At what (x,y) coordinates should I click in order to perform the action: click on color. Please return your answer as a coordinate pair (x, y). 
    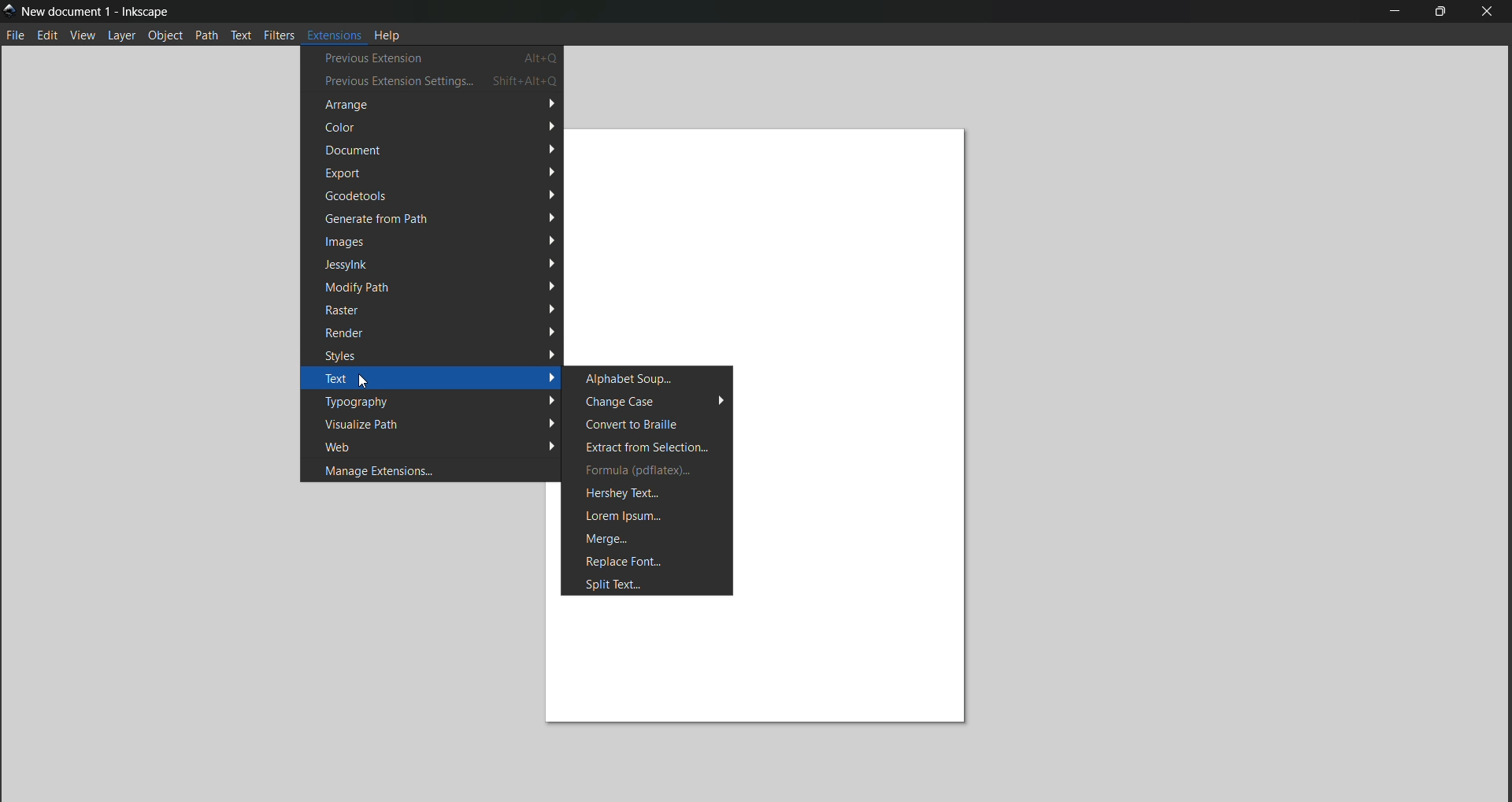
    Looking at the image, I should click on (439, 127).